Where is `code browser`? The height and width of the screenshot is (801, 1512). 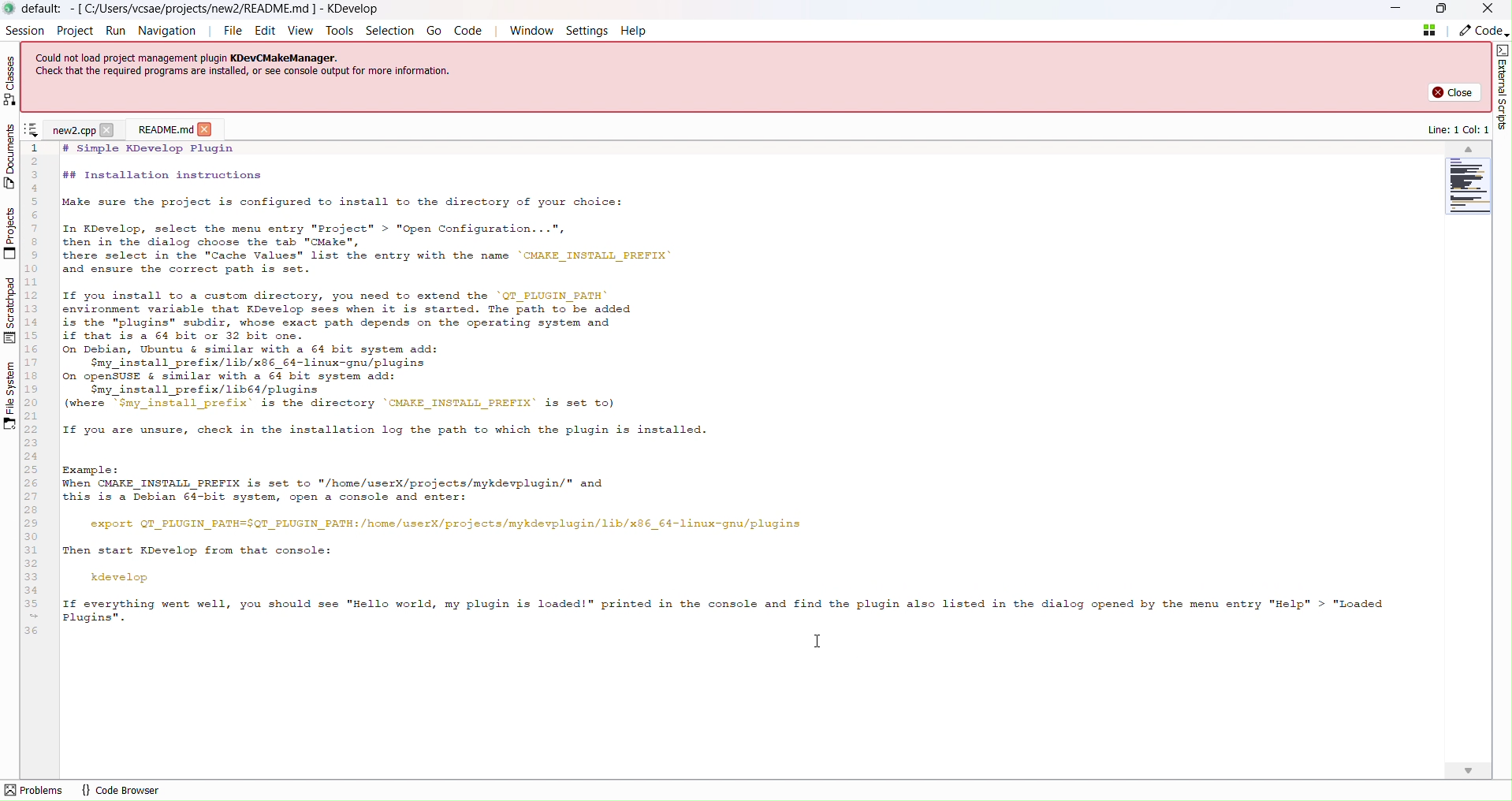 code browser is located at coordinates (121, 790).